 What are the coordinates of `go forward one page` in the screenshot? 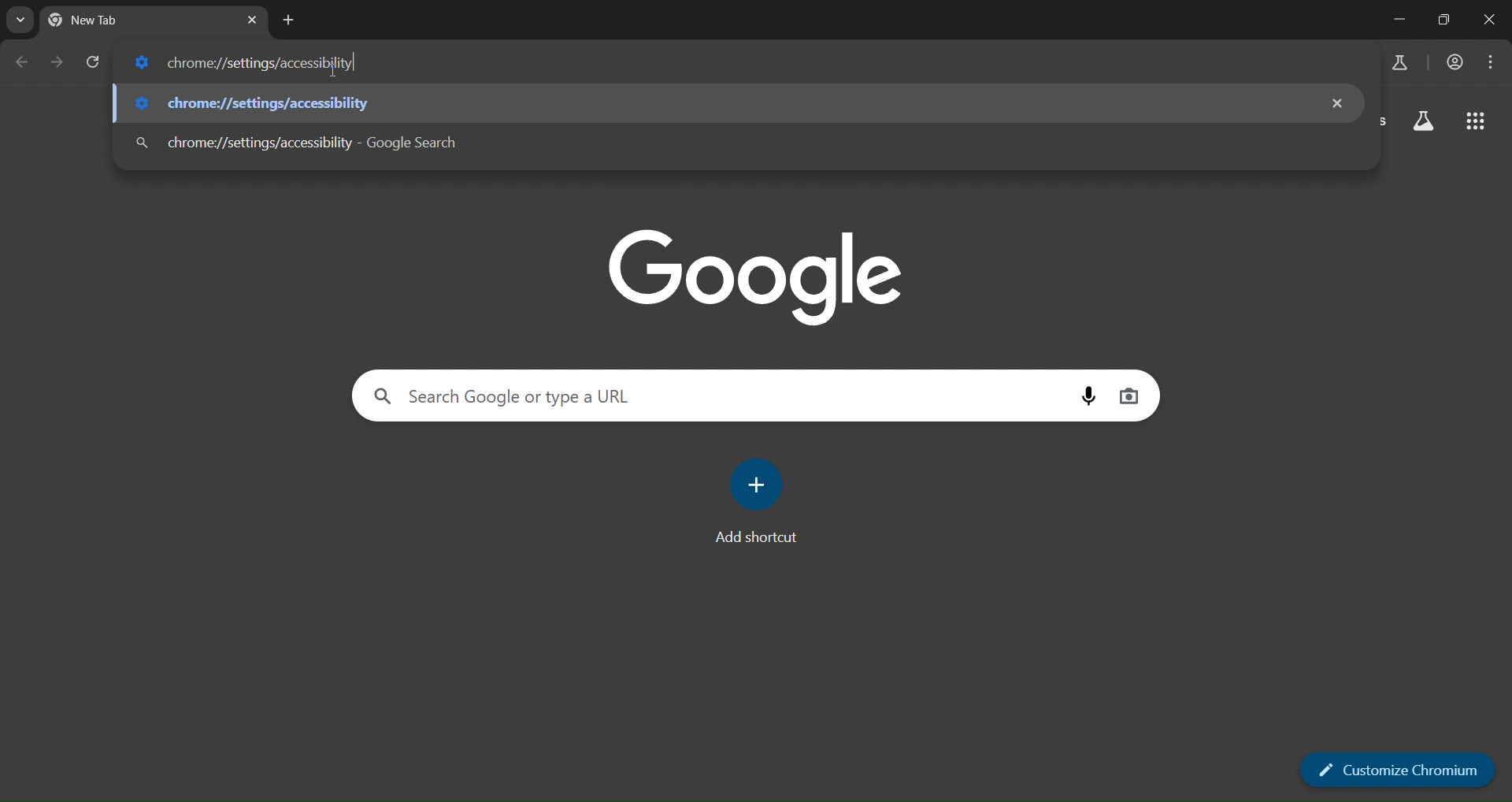 It's located at (60, 65).